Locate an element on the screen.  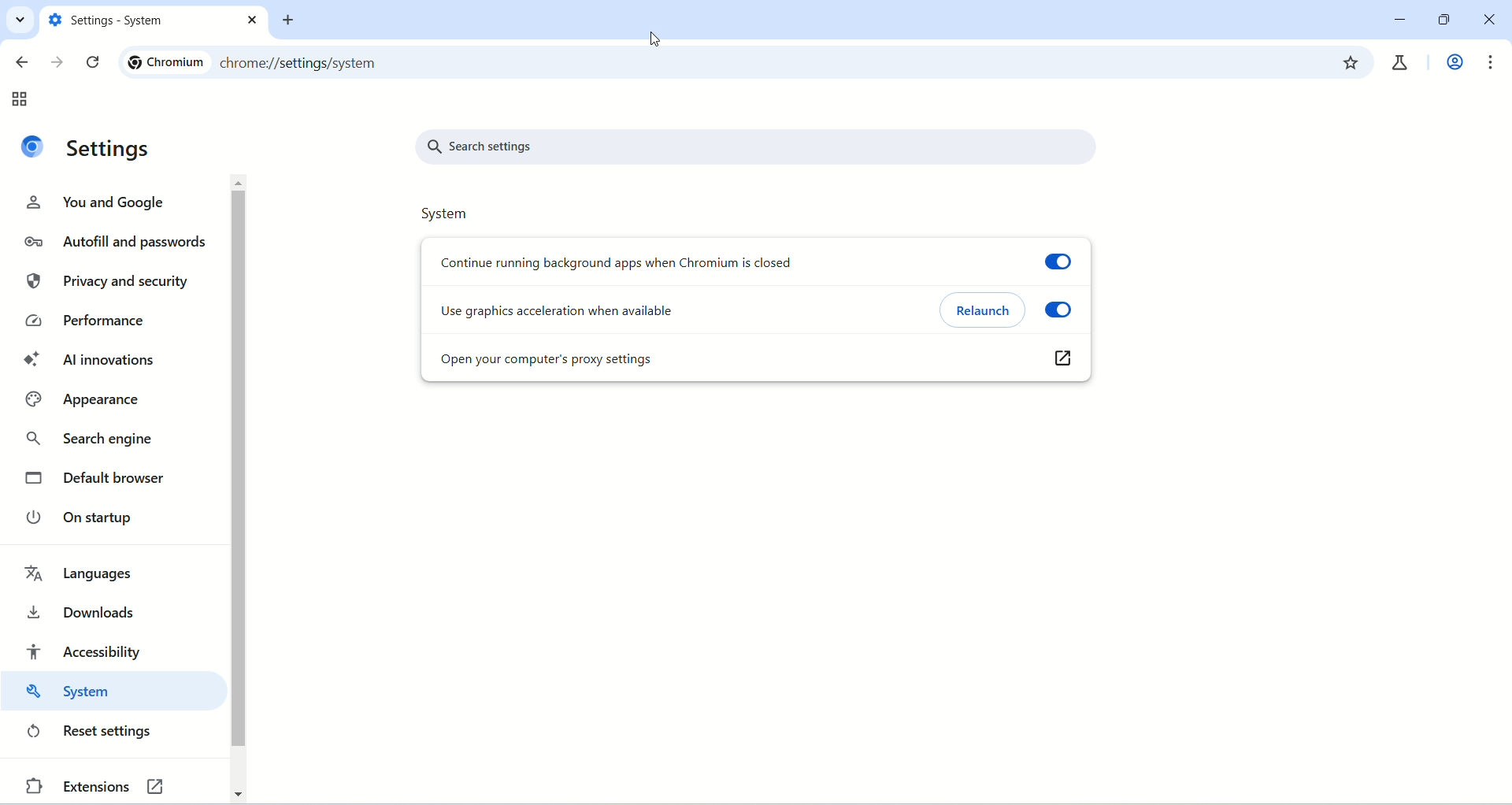
close is located at coordinates (1491, 20).